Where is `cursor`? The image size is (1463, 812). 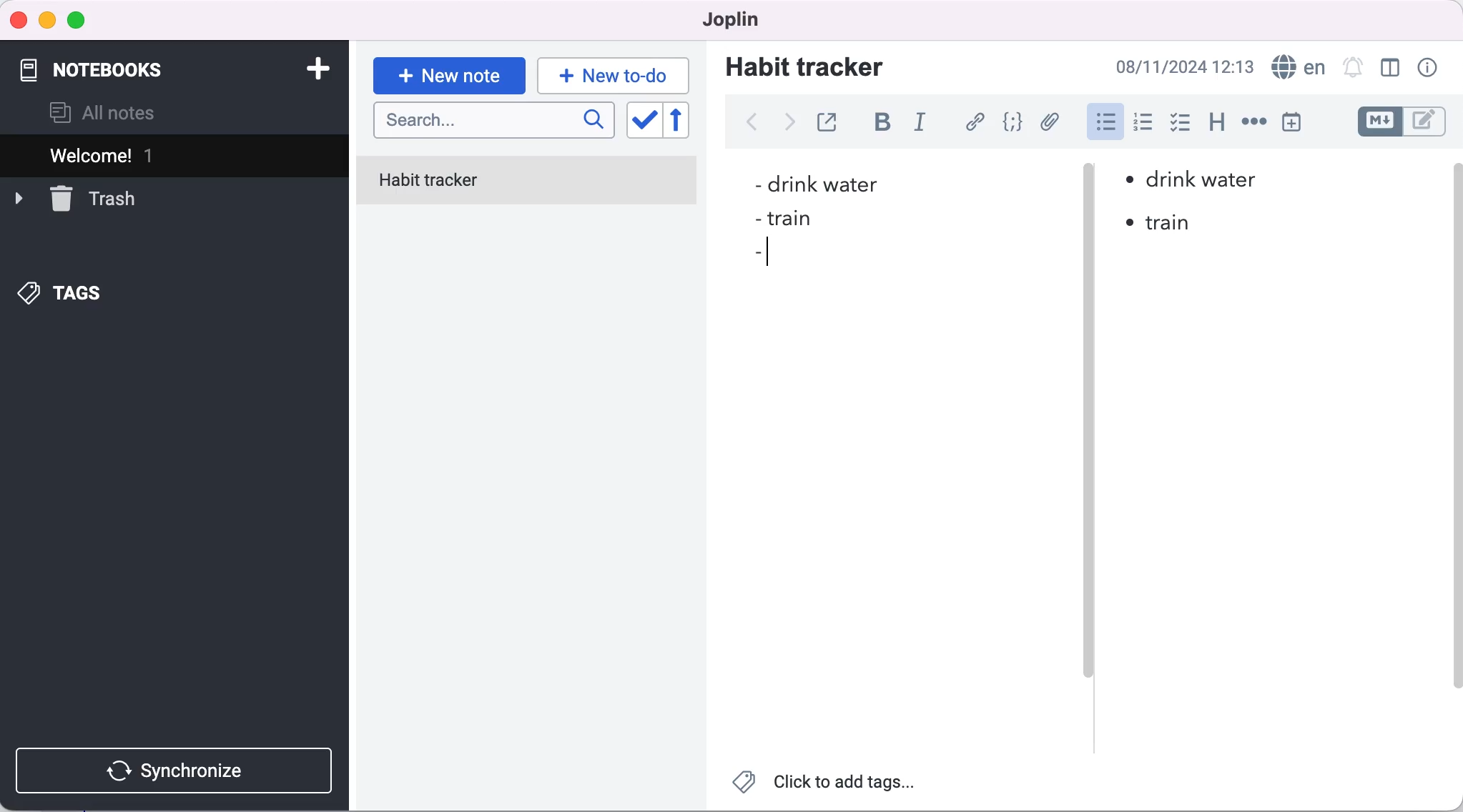
cursor is located at coordinates (772, 254).